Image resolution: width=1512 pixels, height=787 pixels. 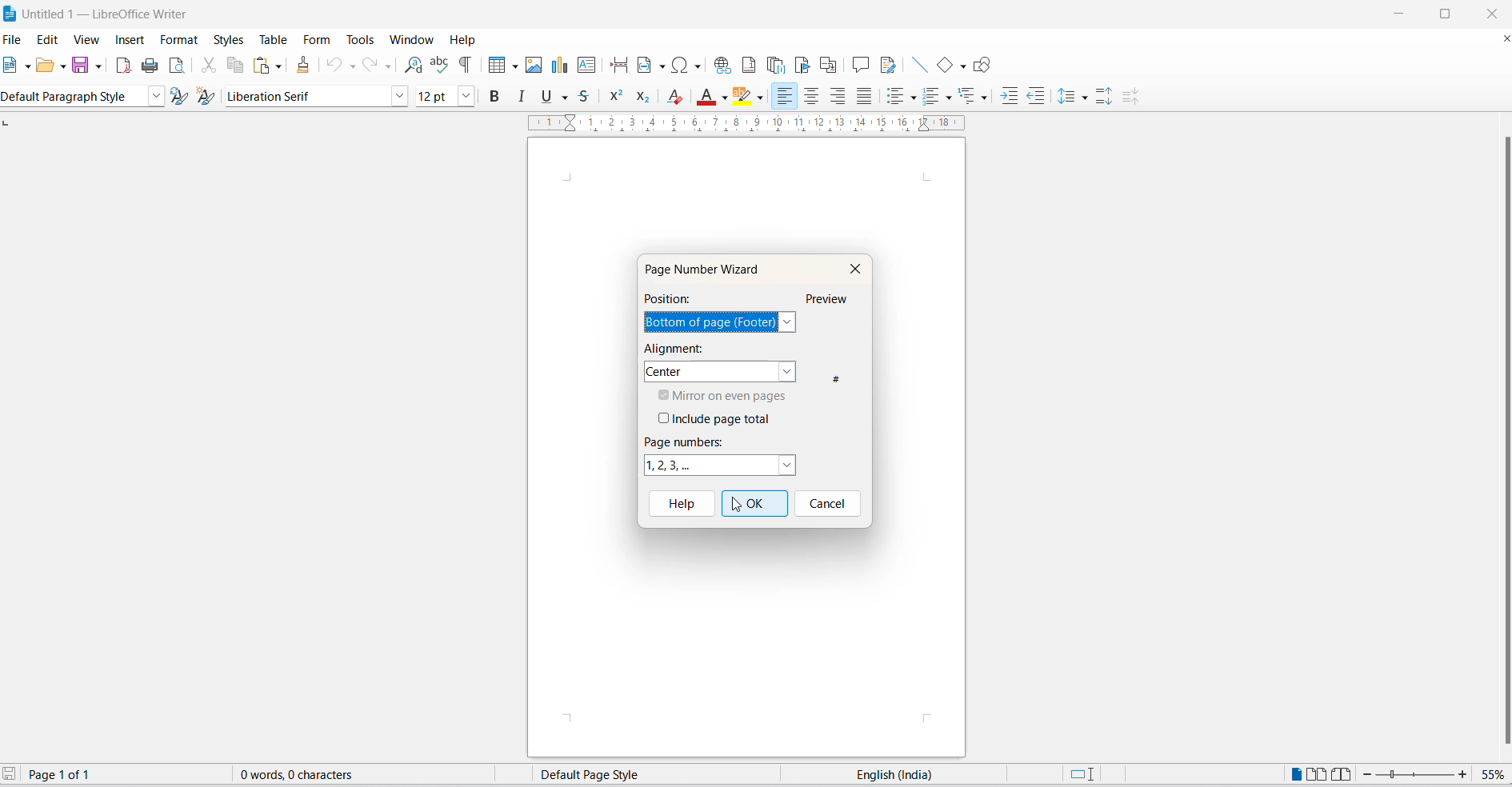 I want to click on close document, so click(x=1502, y=41).